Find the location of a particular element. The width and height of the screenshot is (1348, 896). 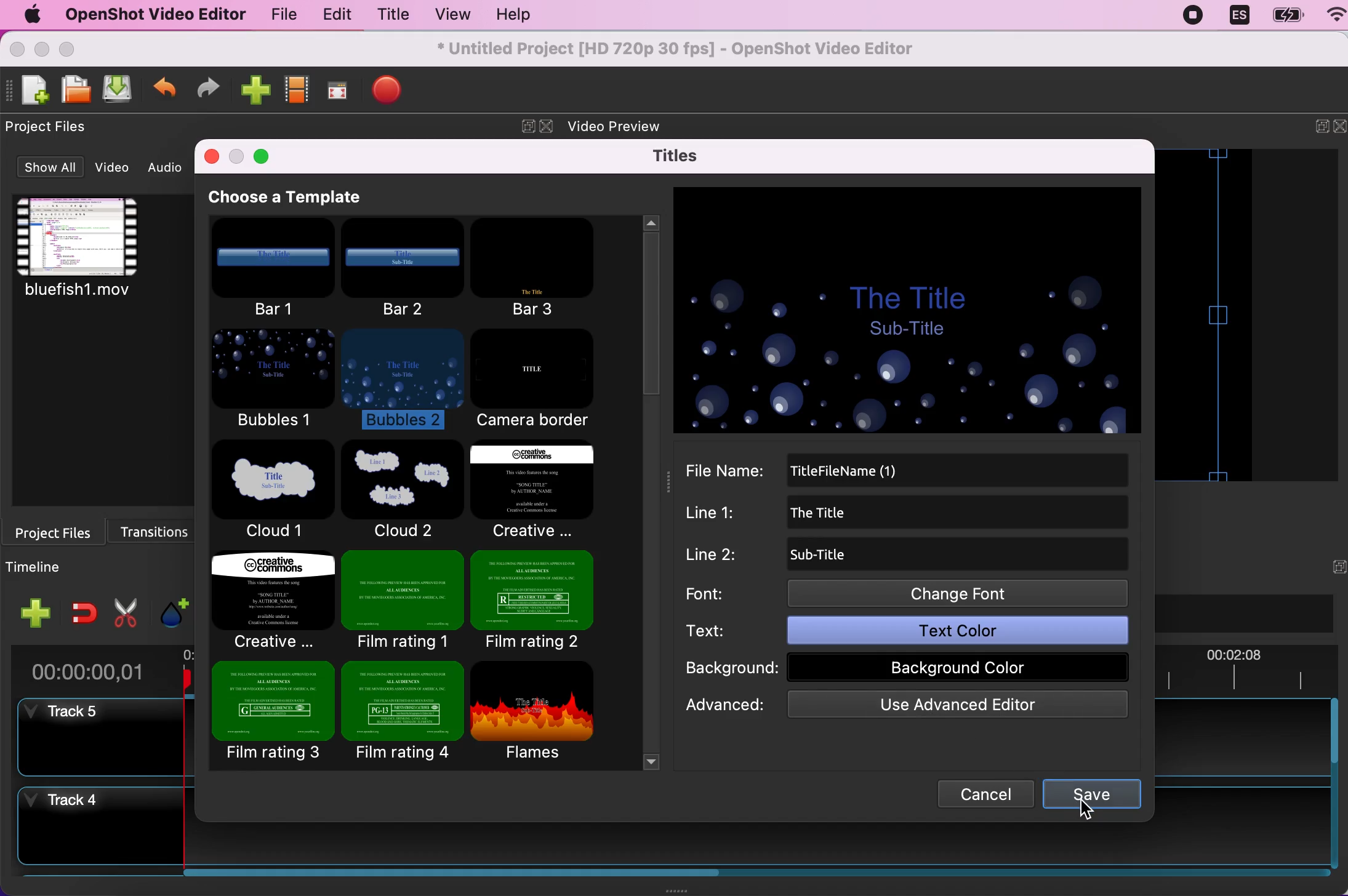

wifi is located at coordinates (1330, 17).